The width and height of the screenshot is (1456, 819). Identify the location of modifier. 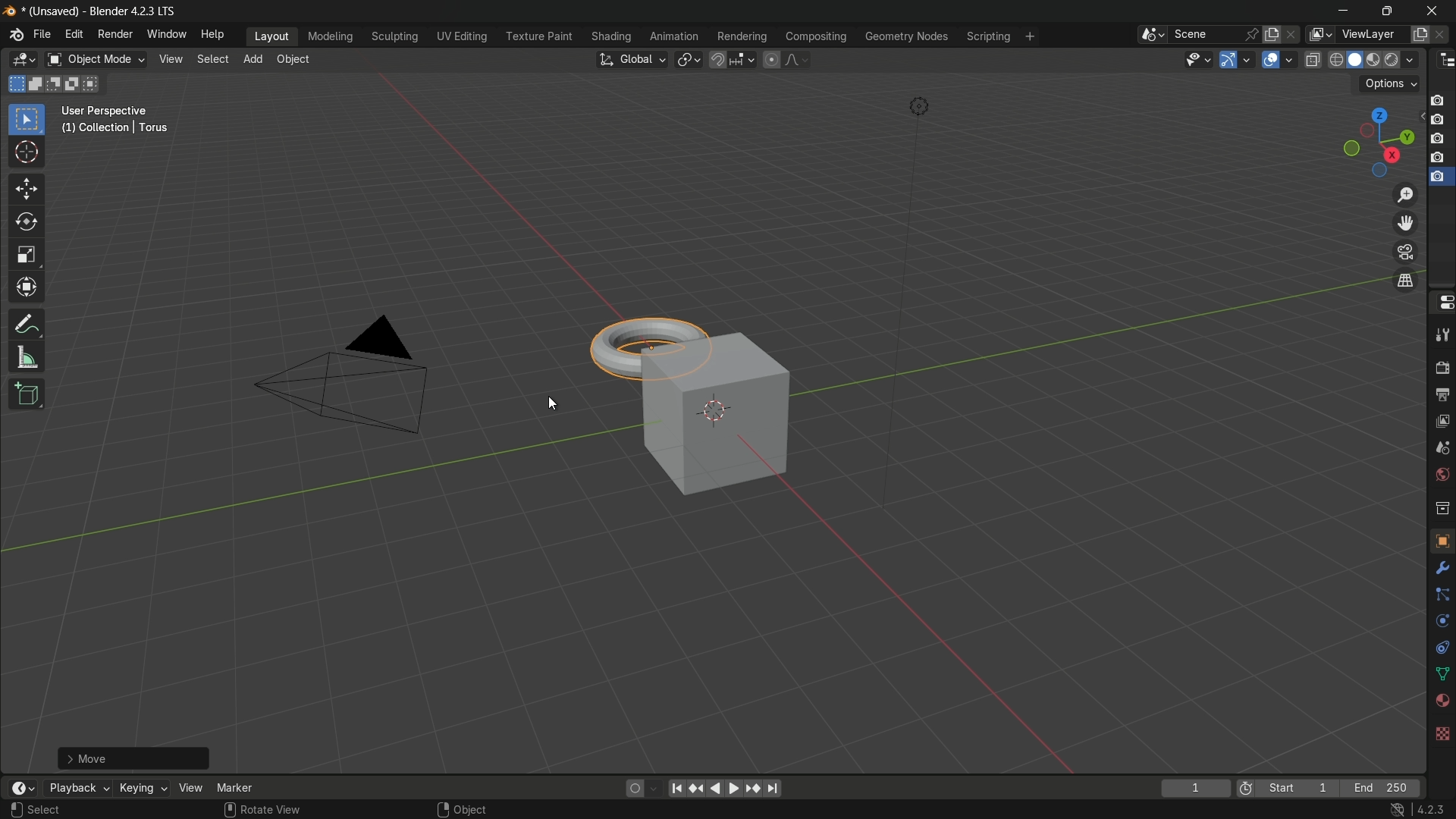
(1439, 568).